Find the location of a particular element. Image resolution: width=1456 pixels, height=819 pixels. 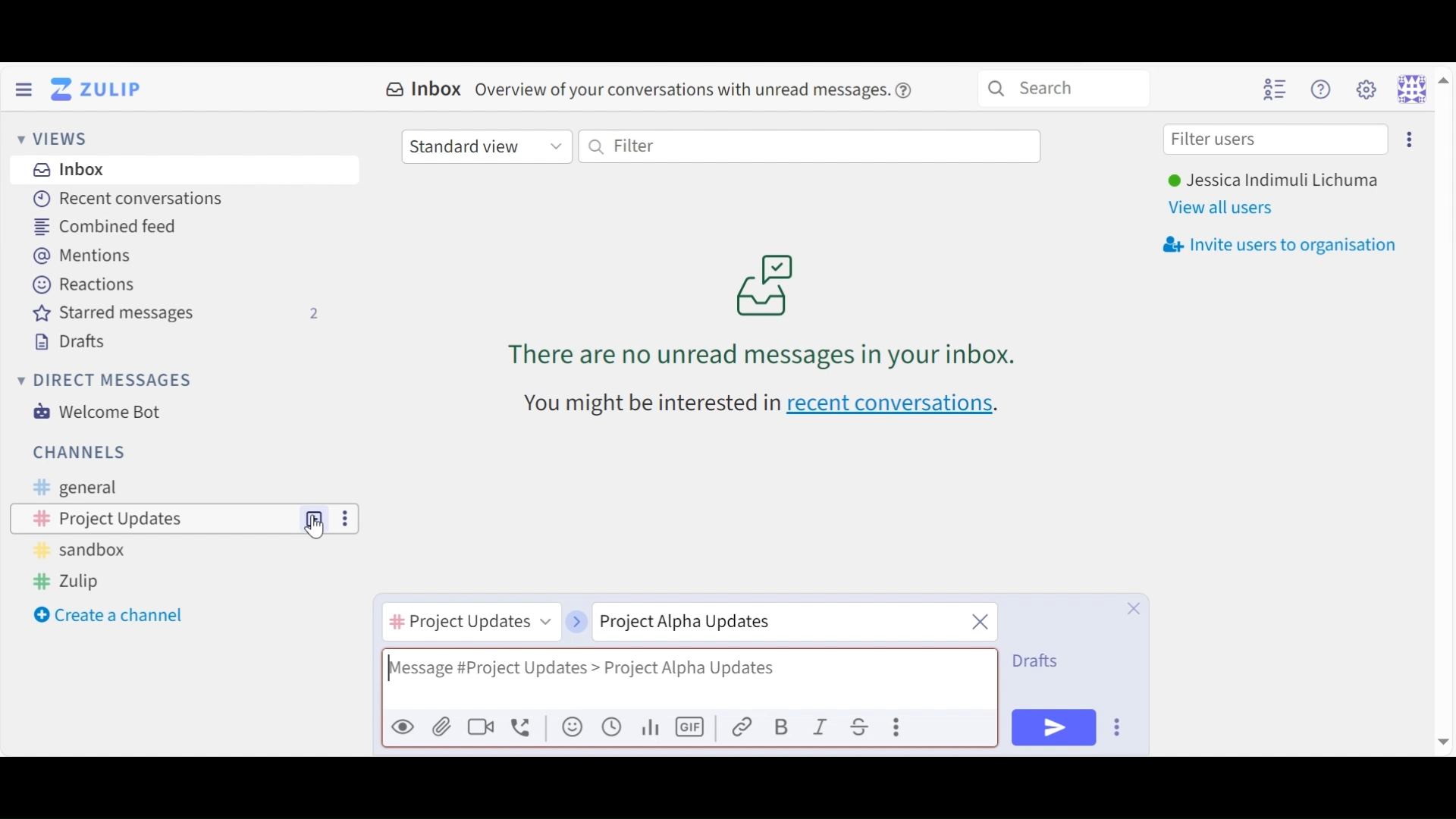

text is located at coordinates (649, 404).